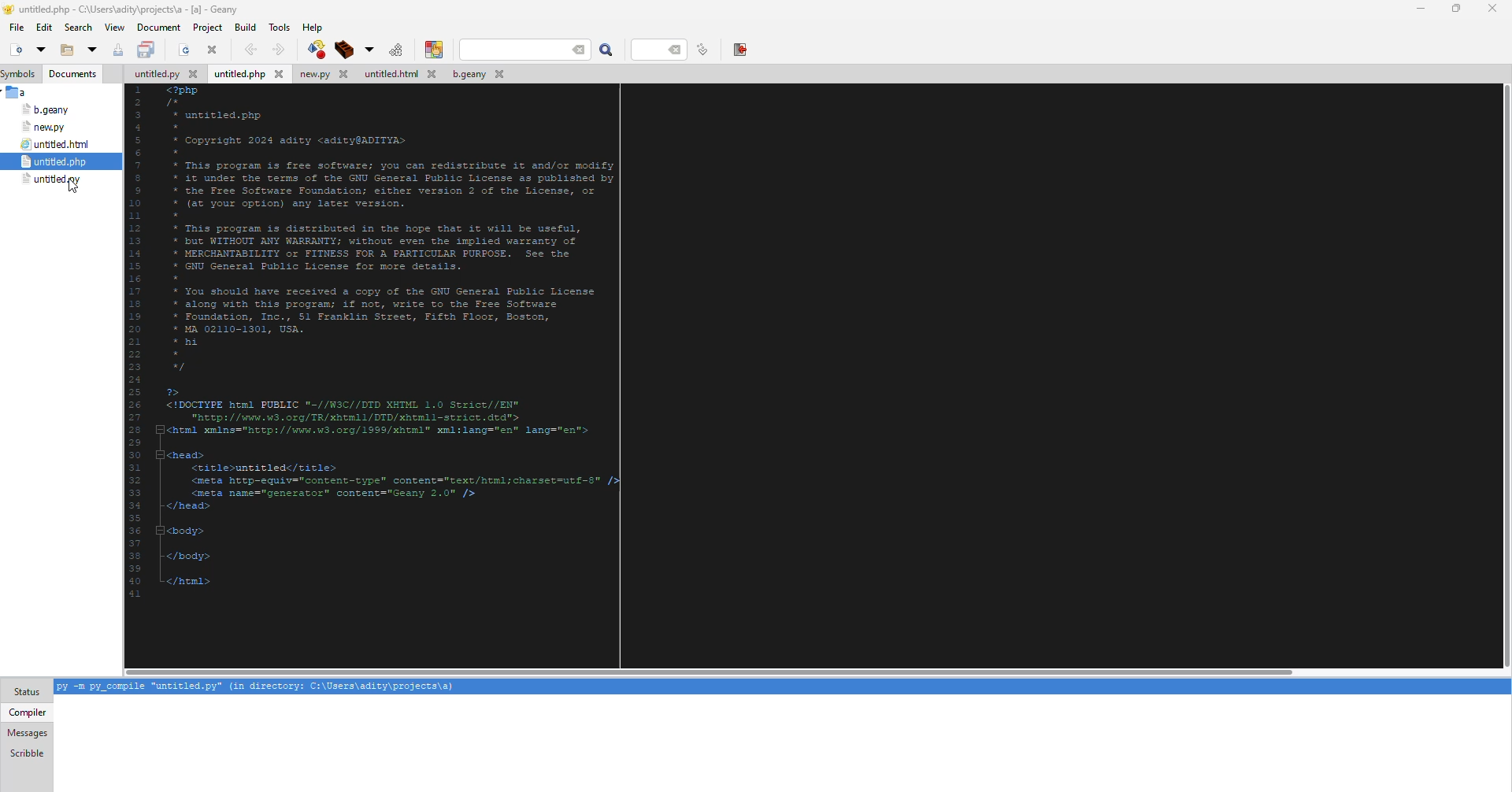 The width and height of the screenshot is (1512, 792). I want to click on document, so click(72, 75).